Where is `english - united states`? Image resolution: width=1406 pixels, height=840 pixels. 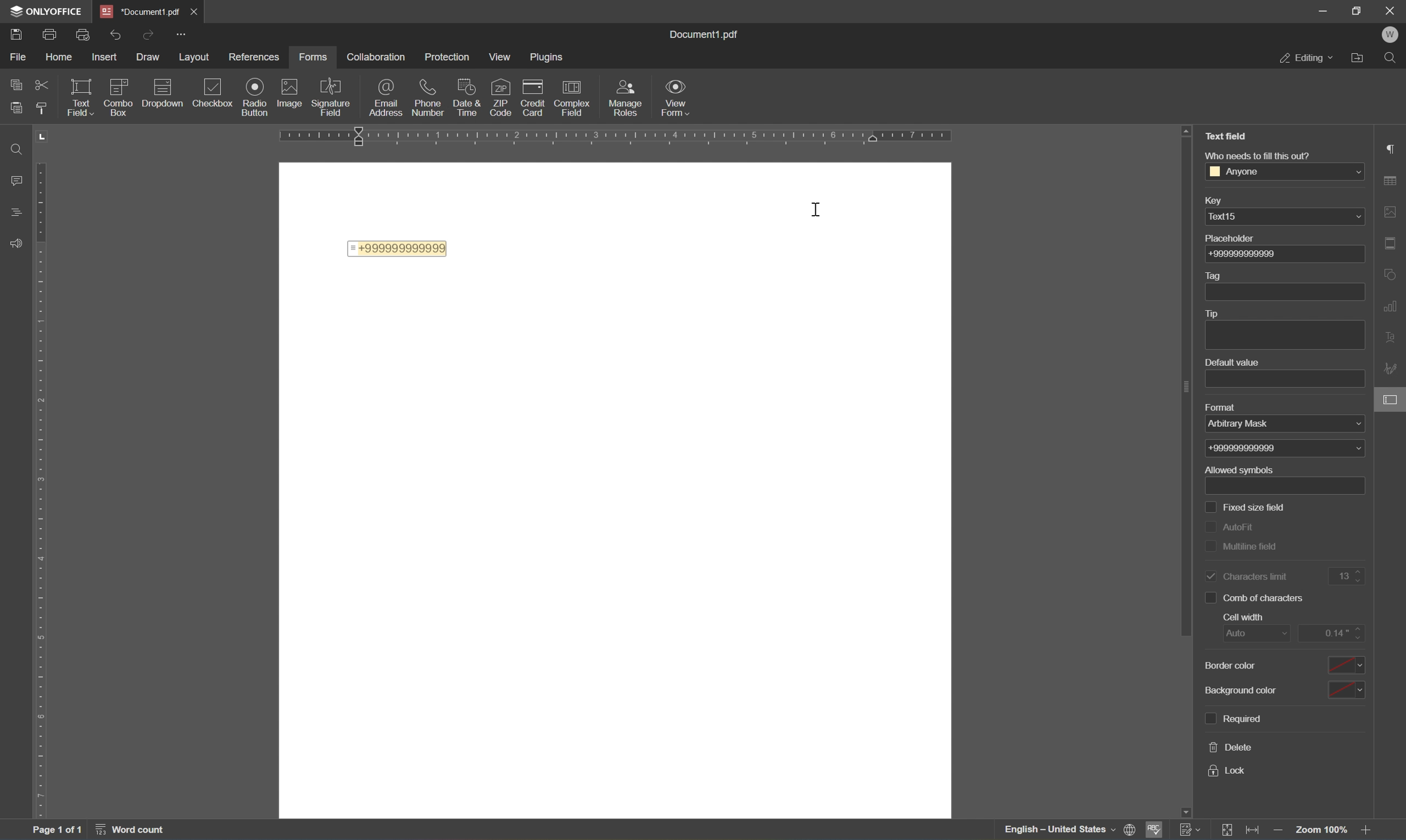
english - united states is located at coordinates (1058, 830).